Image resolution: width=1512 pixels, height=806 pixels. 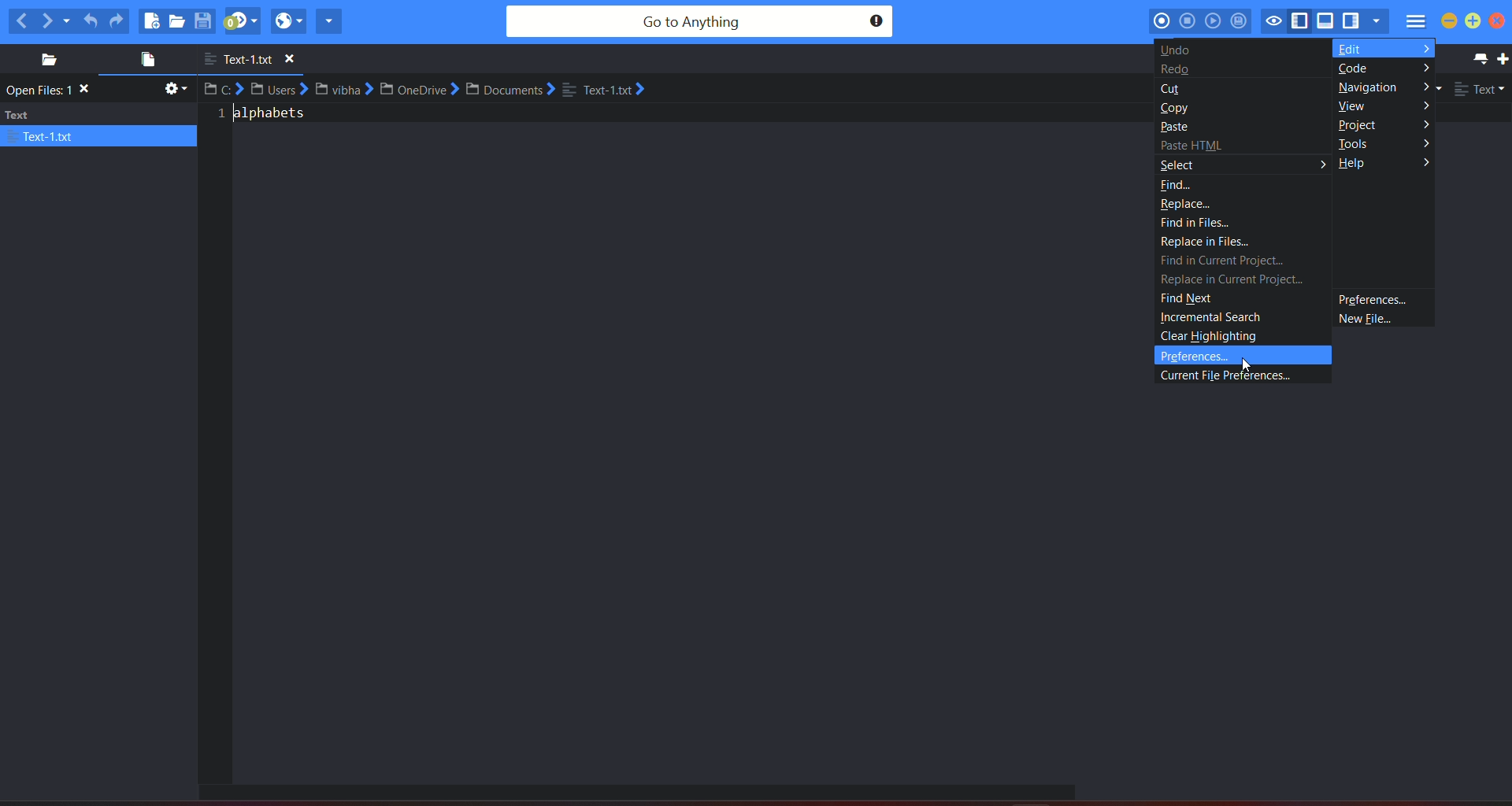 What do you see at coordinates (1300, 21) in the screenshot?
I see `show/hide left pane` at bounding box center [1300, 21].